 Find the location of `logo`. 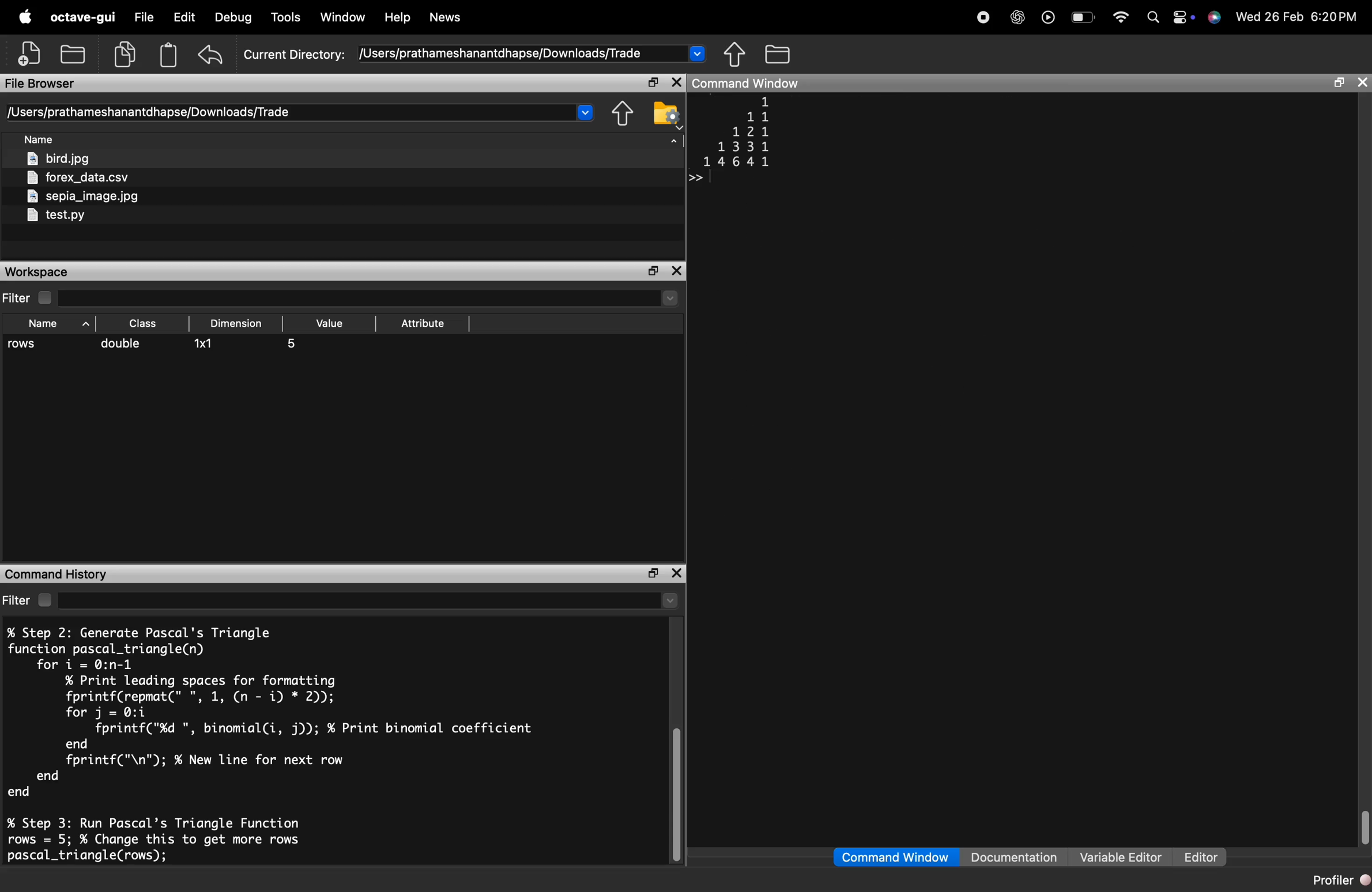

logo is located at coordinates (1215, 17).